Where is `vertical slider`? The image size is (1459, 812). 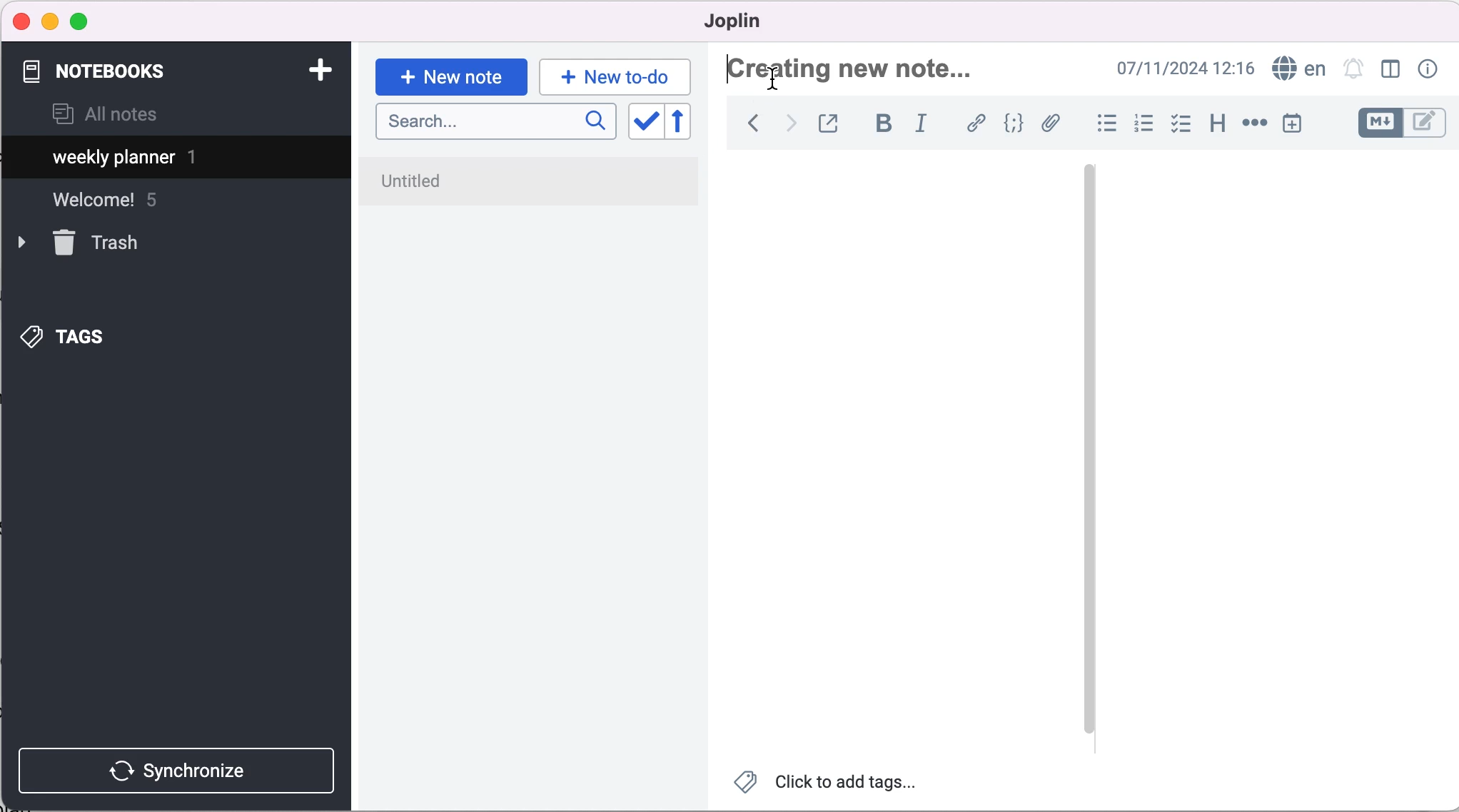
vertical slider is located at coordinates (1089, 448).